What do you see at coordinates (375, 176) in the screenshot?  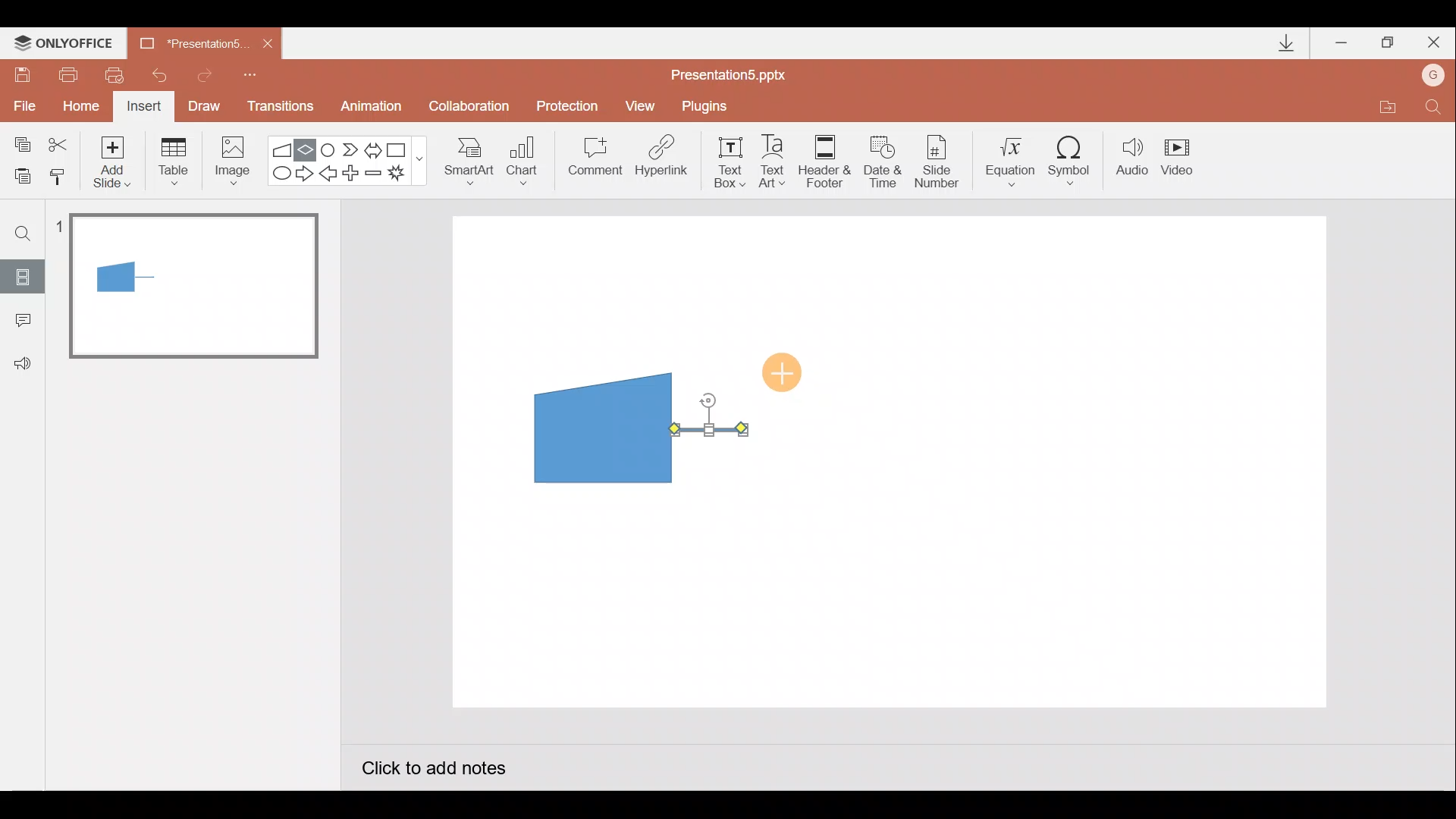 I see `Minus` at bounding box center [375, 176].